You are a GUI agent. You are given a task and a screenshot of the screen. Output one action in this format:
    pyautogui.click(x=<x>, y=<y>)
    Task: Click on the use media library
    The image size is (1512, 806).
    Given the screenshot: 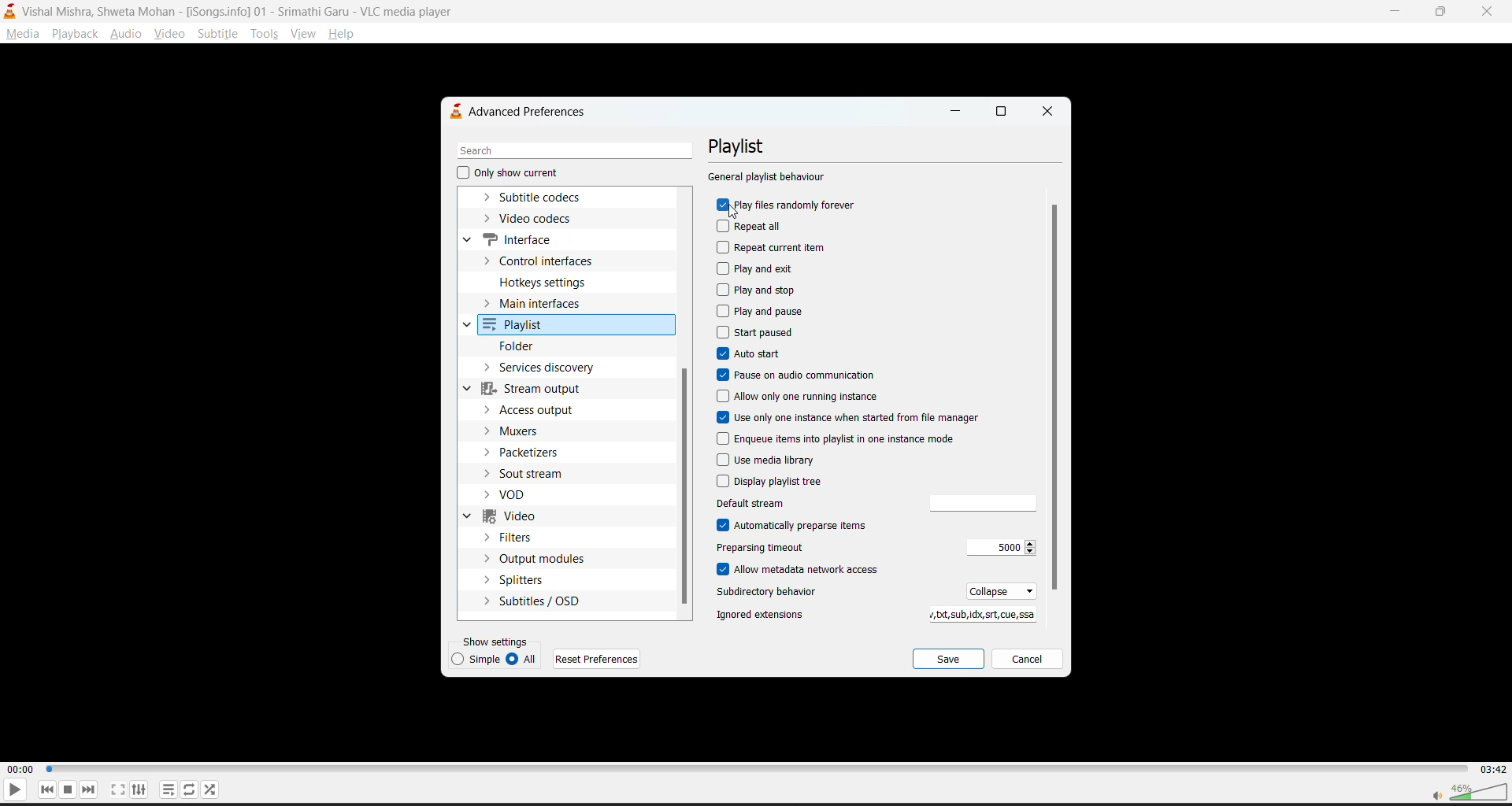 What is the action you would take?
    pyautogui.click(x=767, y=460)
    